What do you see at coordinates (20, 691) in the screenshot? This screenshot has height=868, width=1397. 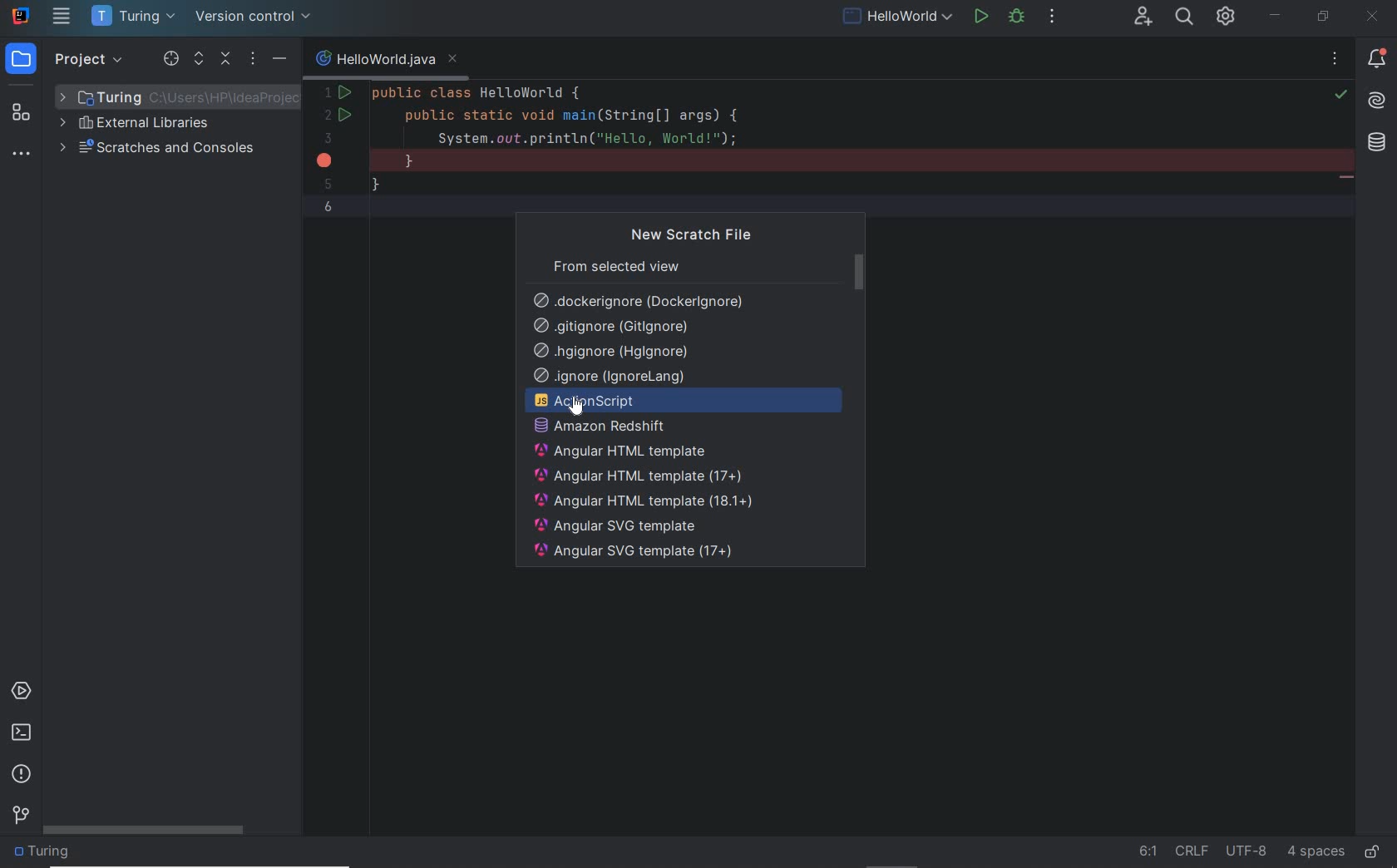 I see `services` at bounding box center [20, 691].